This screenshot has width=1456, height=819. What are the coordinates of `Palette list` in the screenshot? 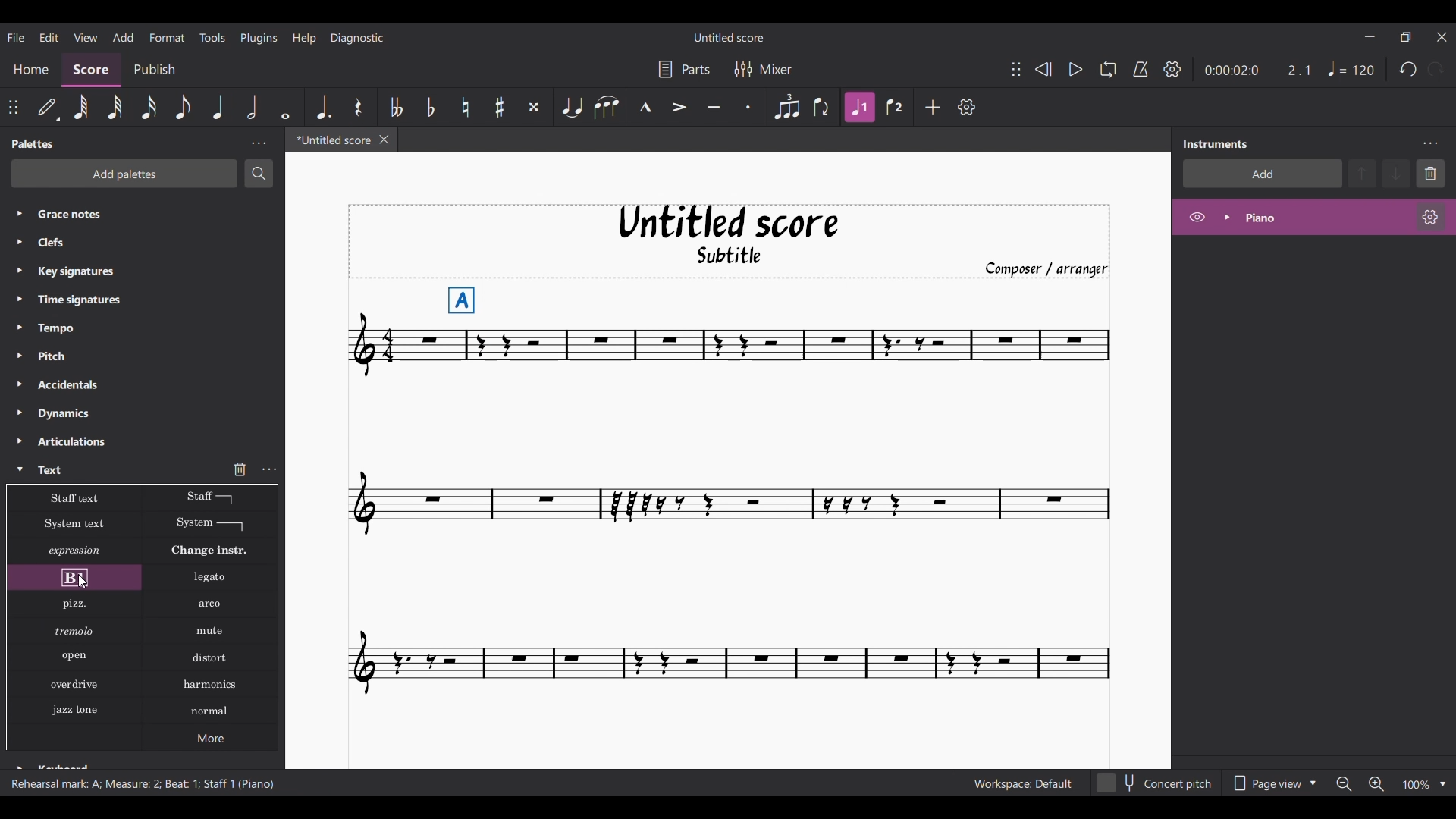 It's located at (124, 344).